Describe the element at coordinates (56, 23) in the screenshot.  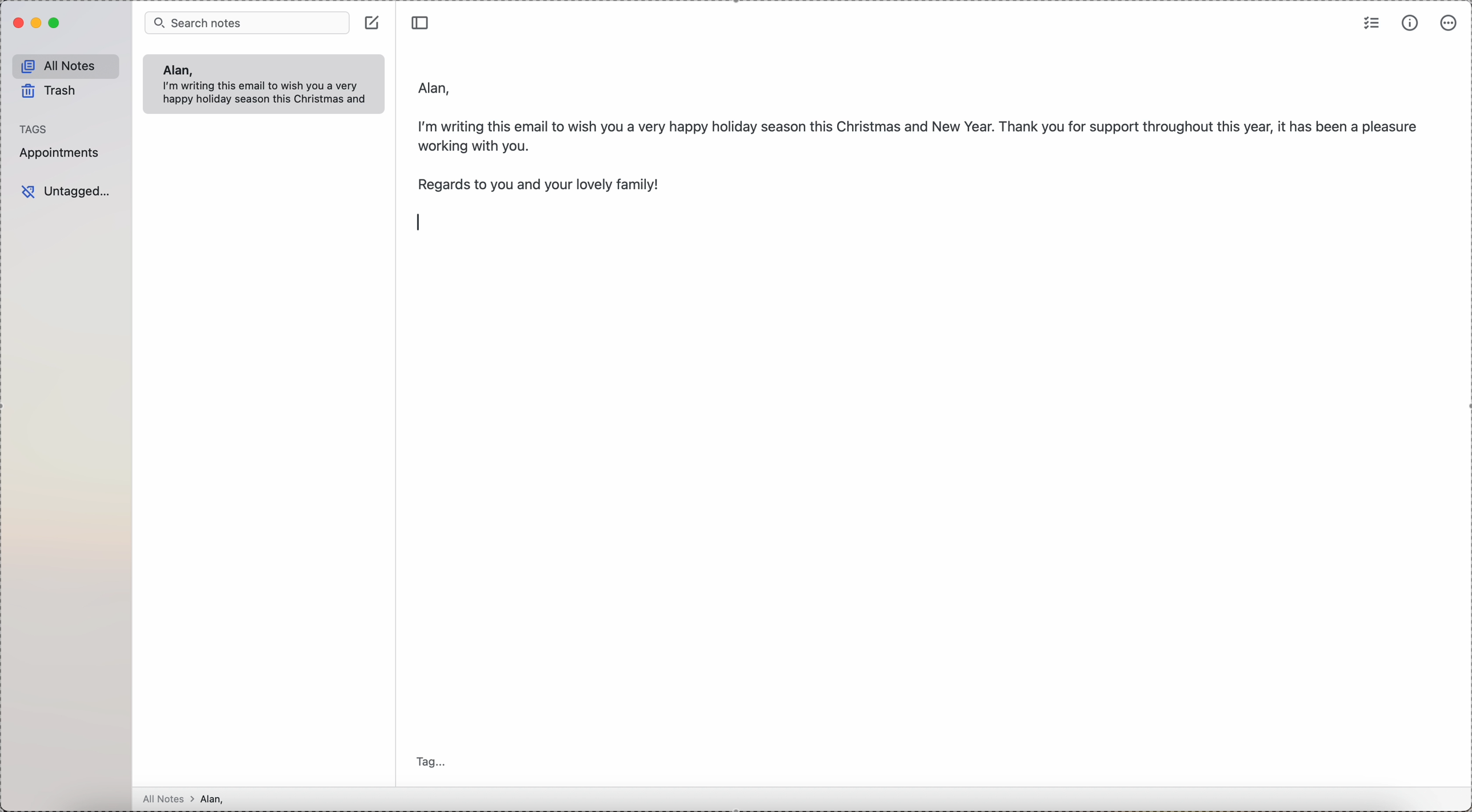
I see `maximize` at that location.